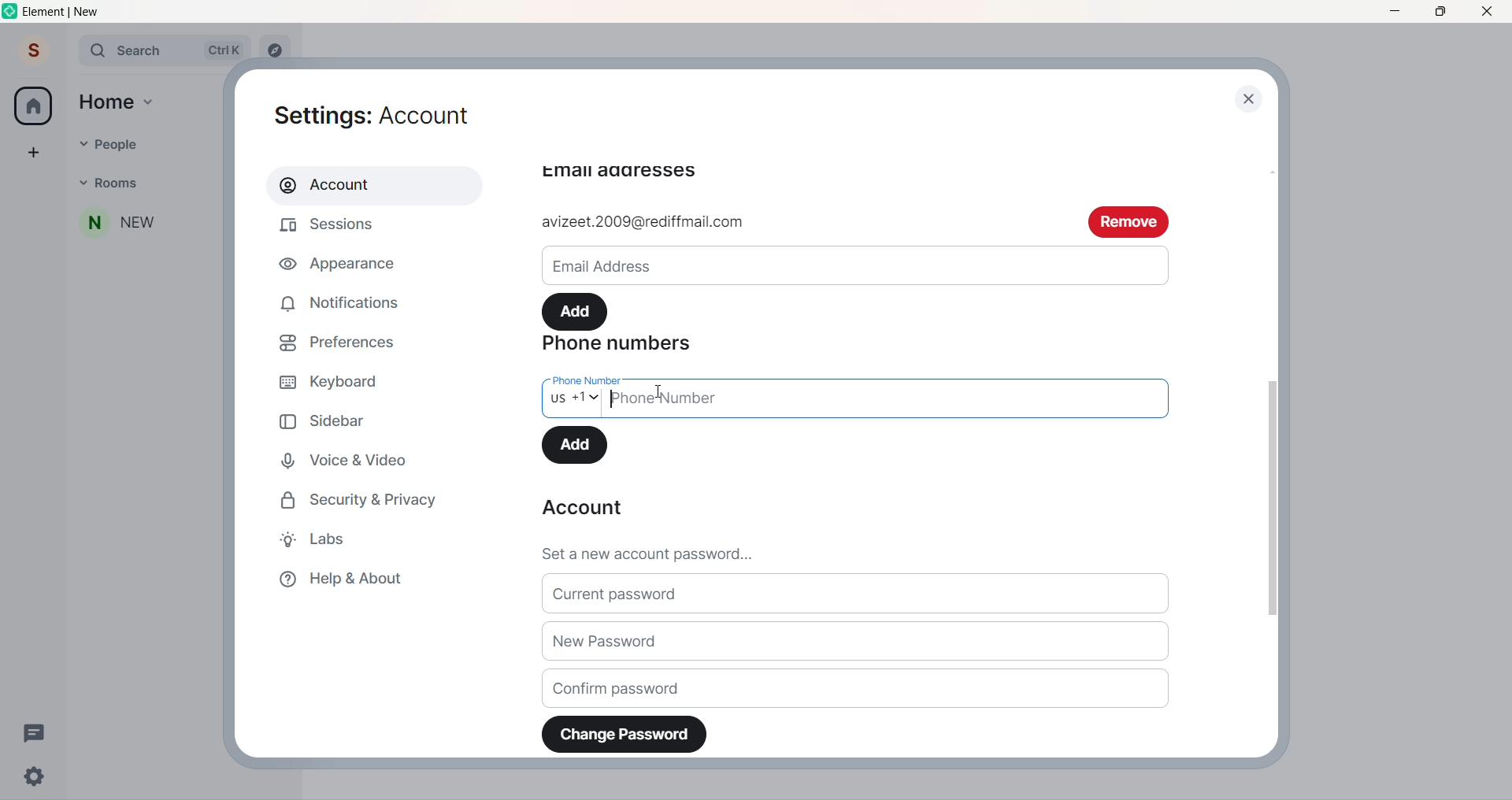  I want to click on Home, so click(33, 106).